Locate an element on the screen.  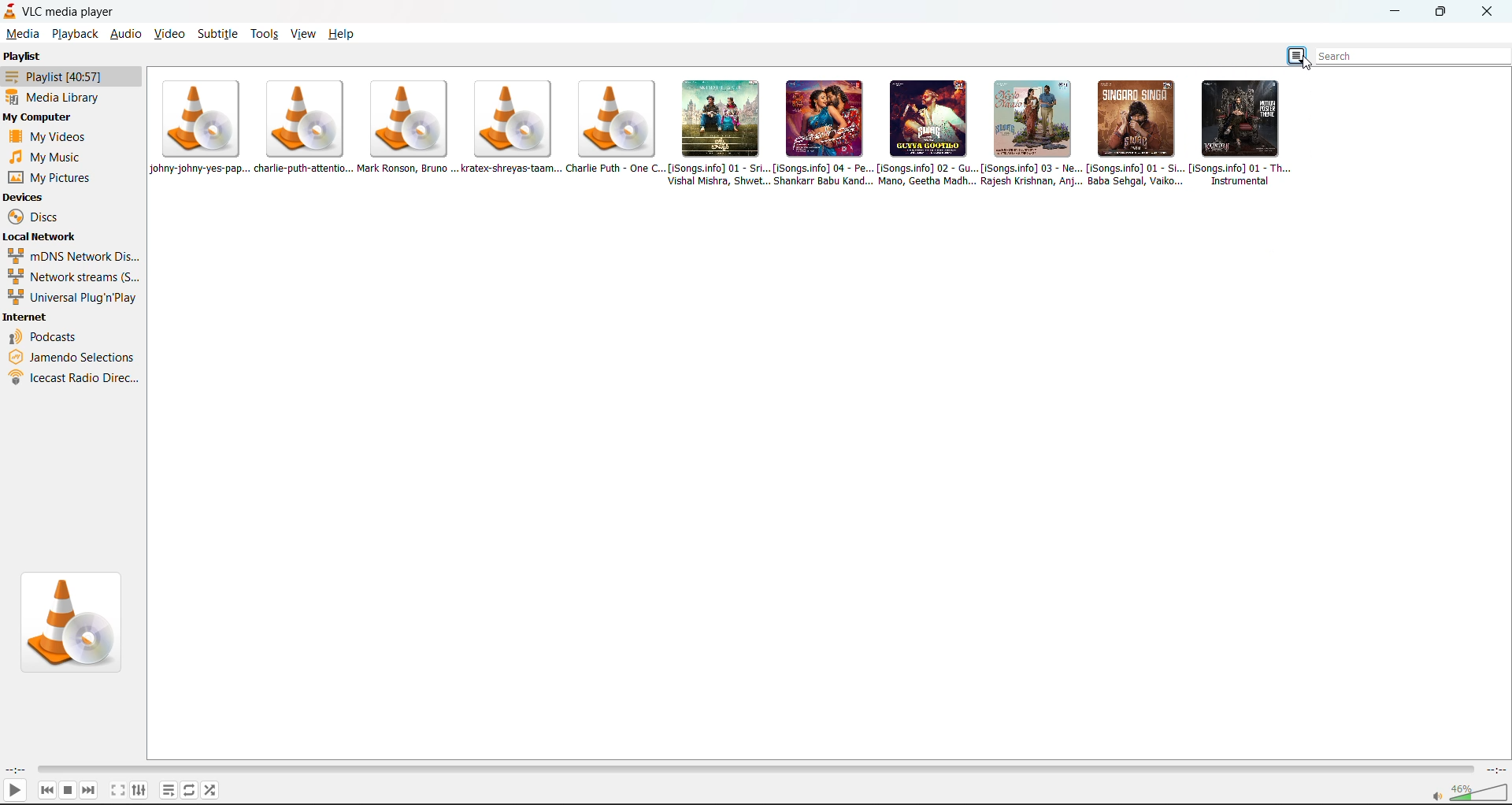
volume is located at coordinates (1469, 793).